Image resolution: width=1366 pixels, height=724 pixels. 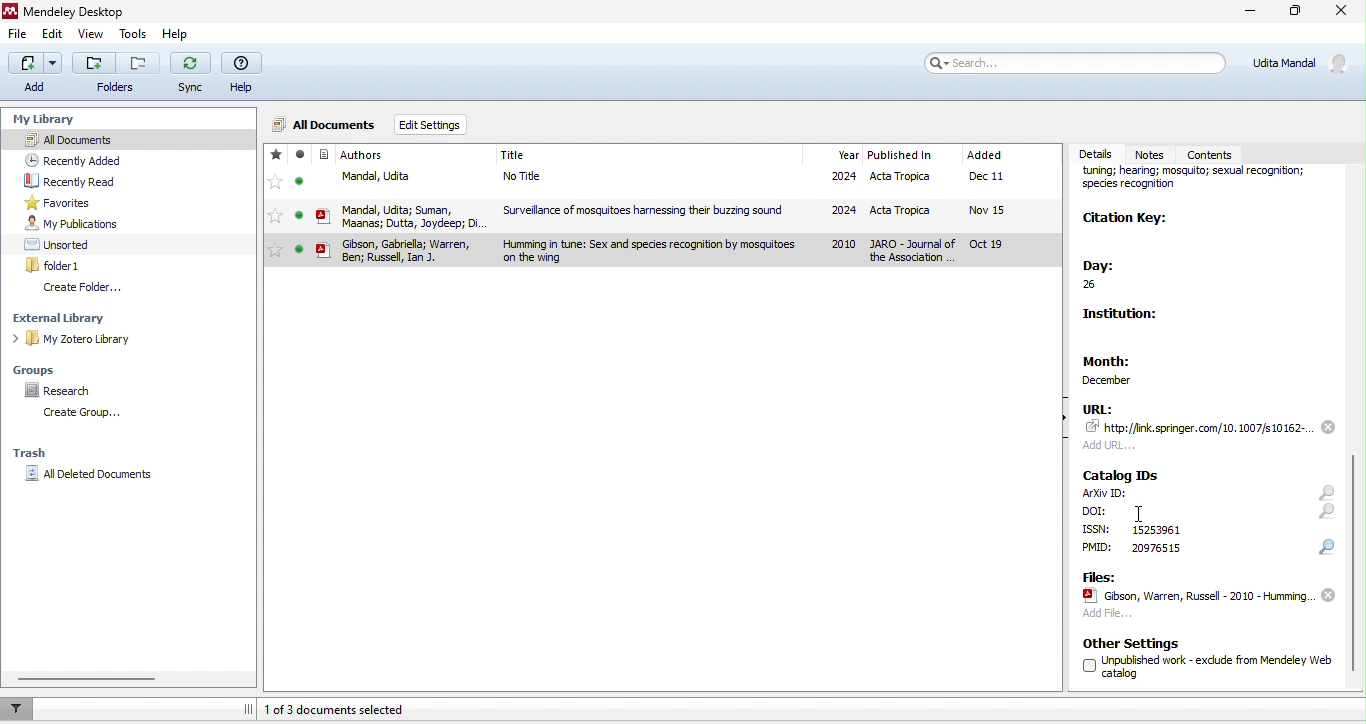 What do you see at coordinates (325, 122) in the screenshot?
I see `all documents` at bounding box center [325, 122].